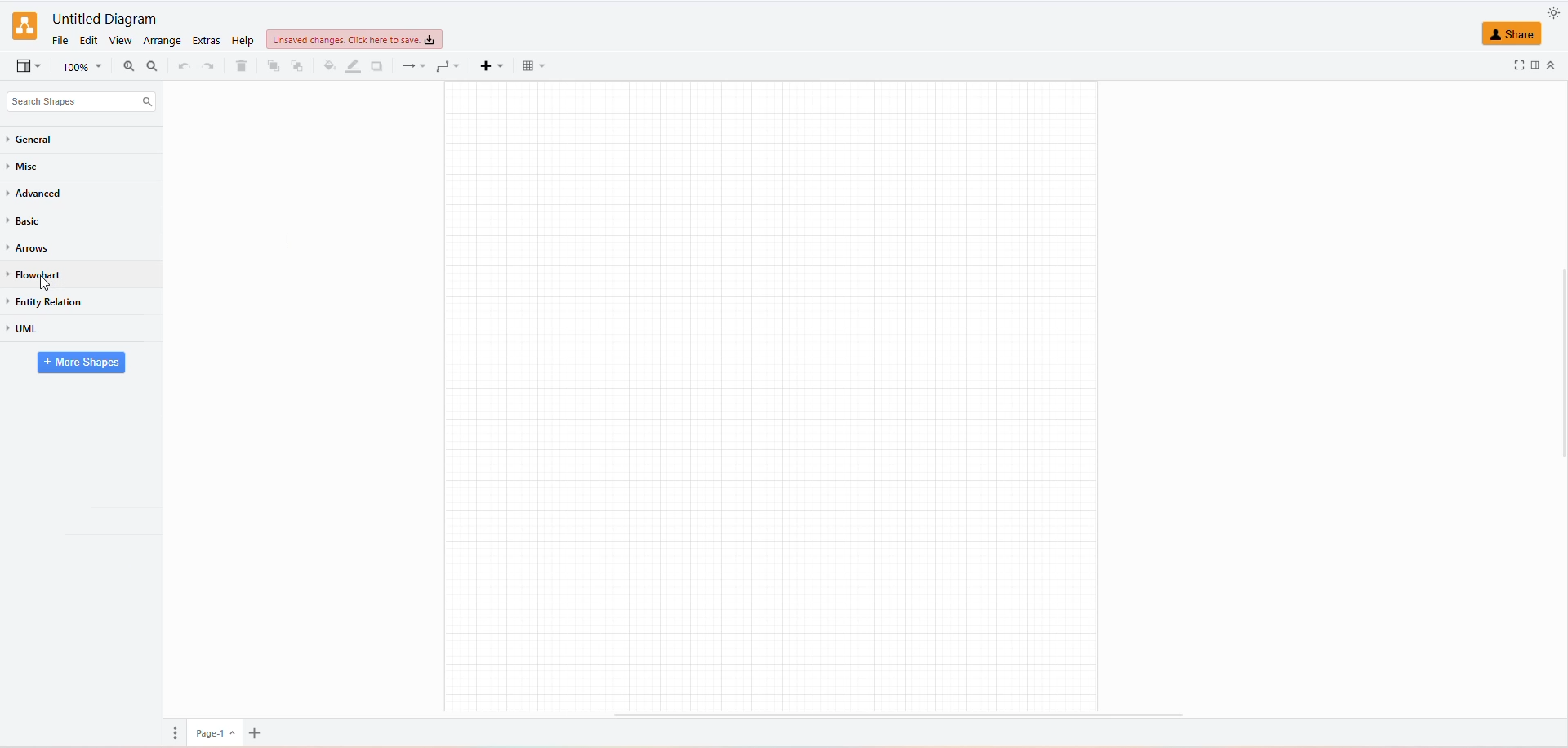  I want to click on LOGO, so click(29, 23).